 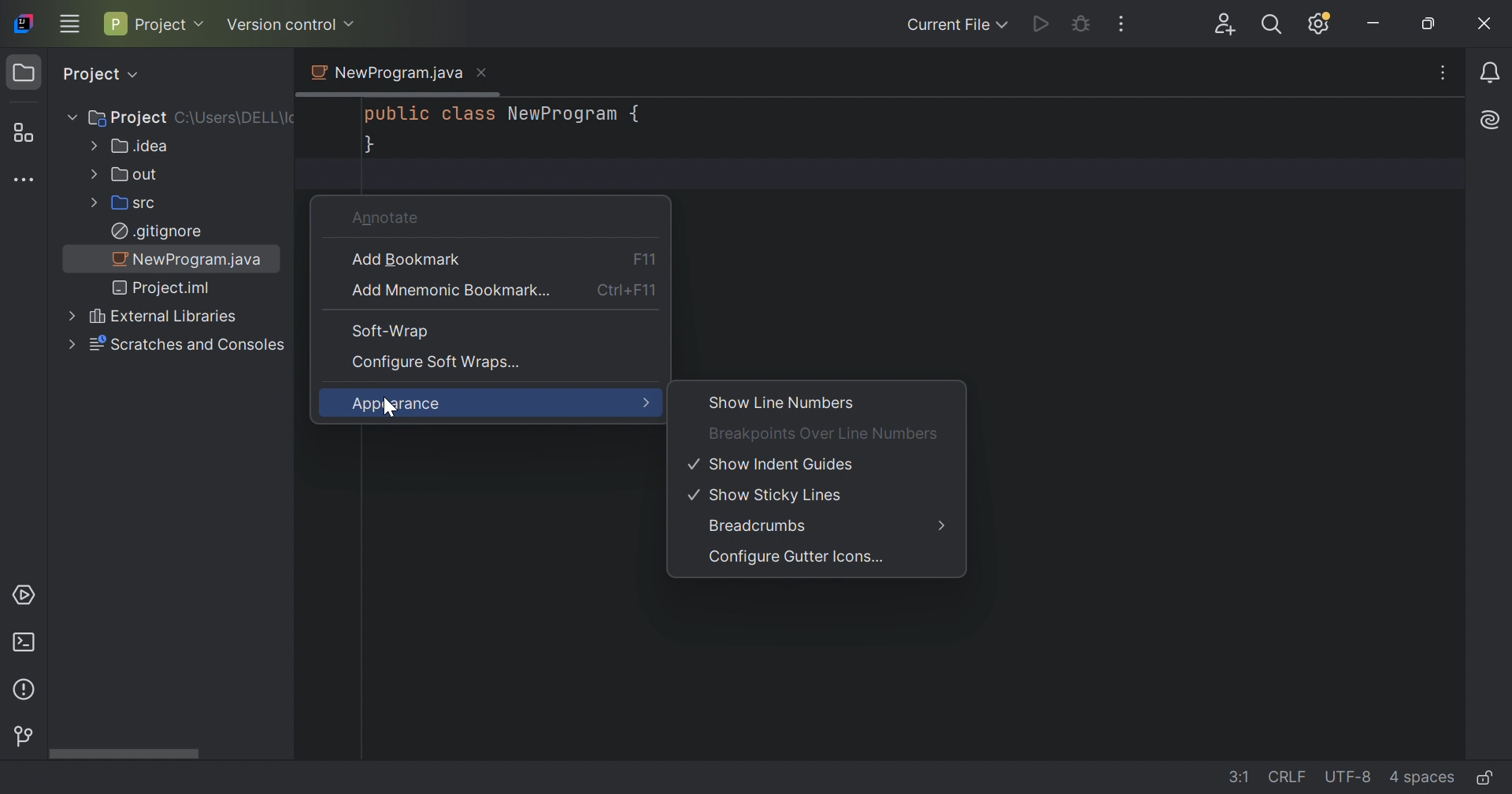 I want to click on Version control, so click(x=25, y=738).